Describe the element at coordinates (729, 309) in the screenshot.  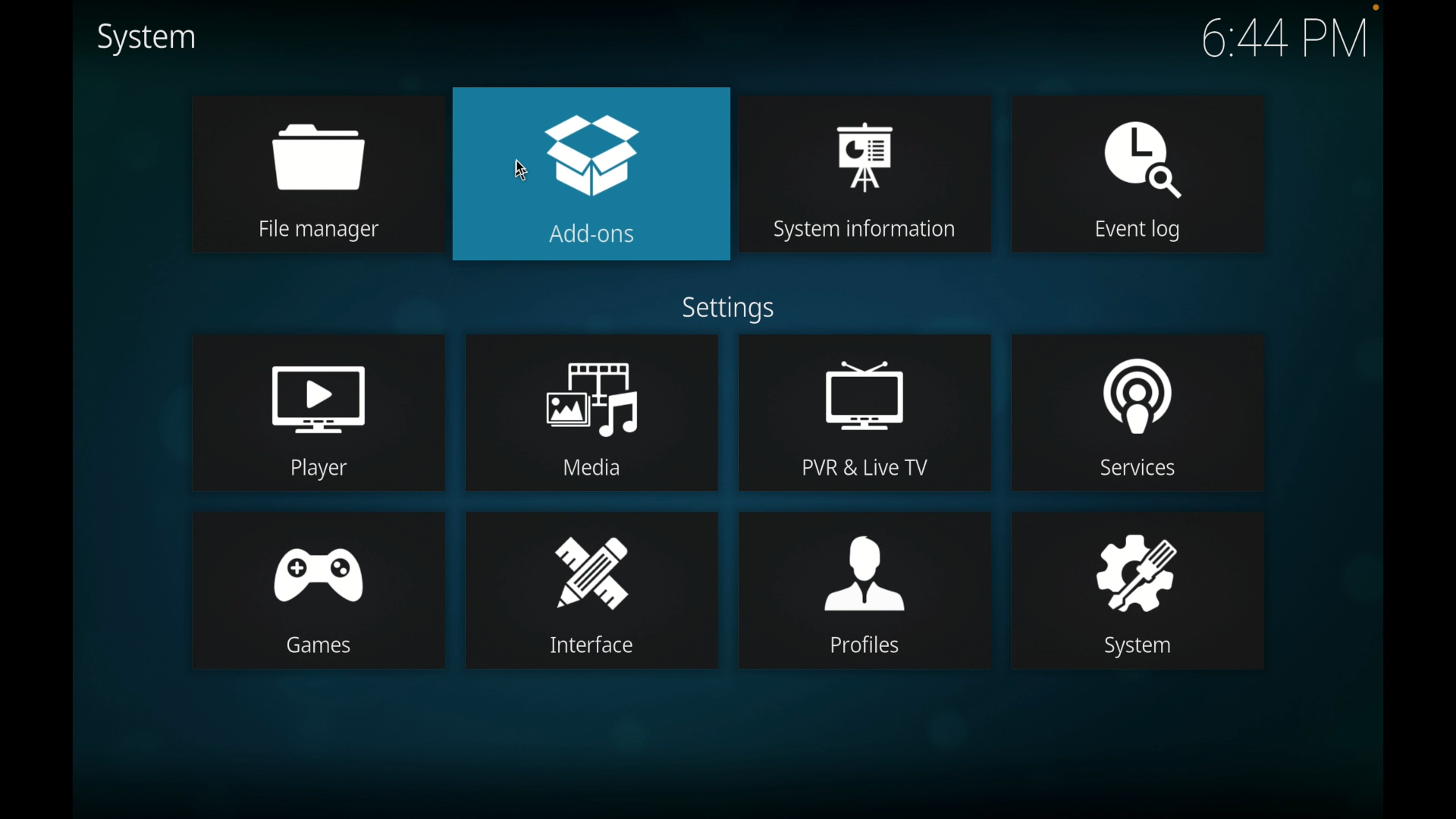
I see `settings` at that location.